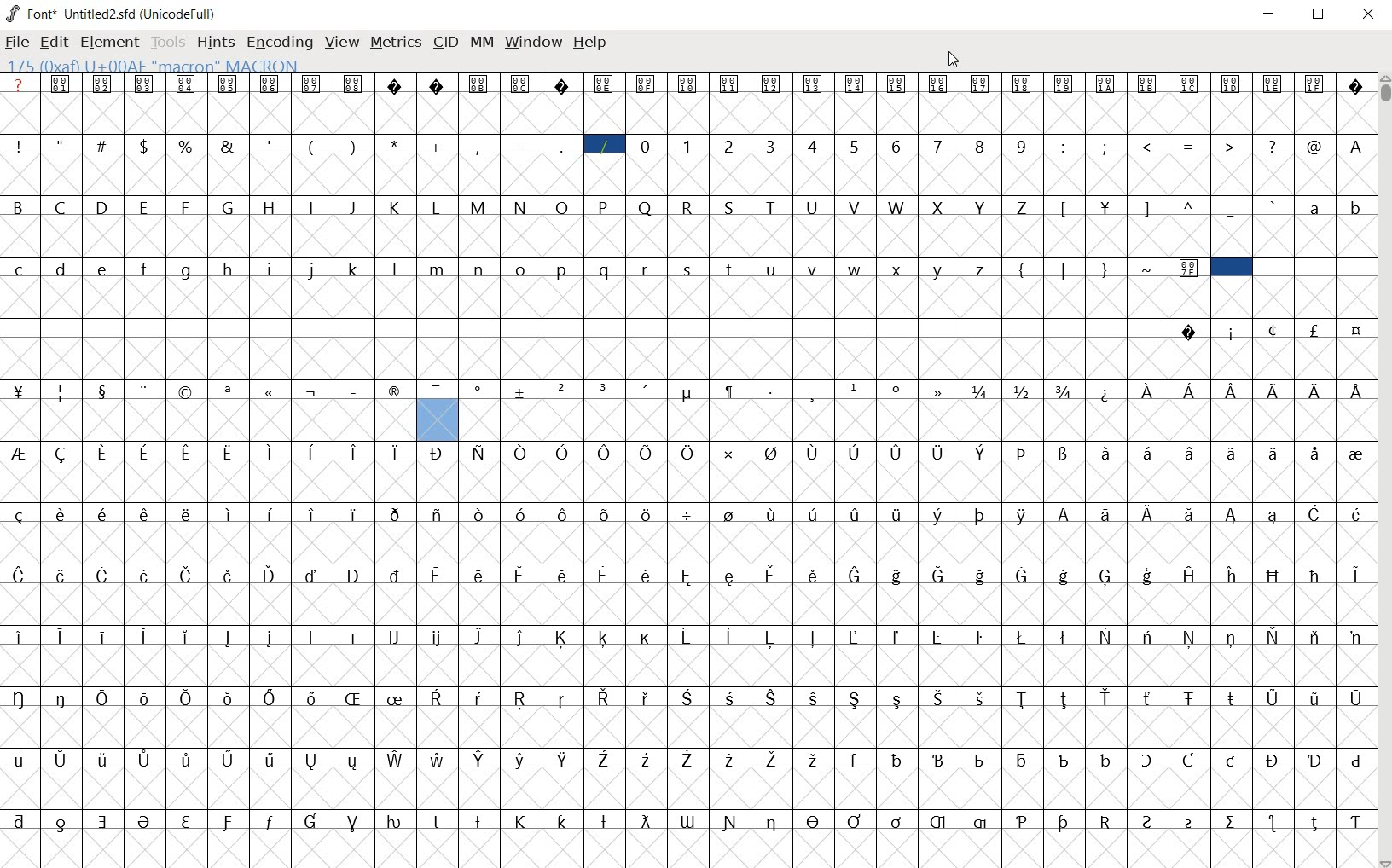 This screenshot has width=1392, height=868. What do you see at coordinates (982, 146) in the screenshot?
I see `8` at bounding box center [982, 146].